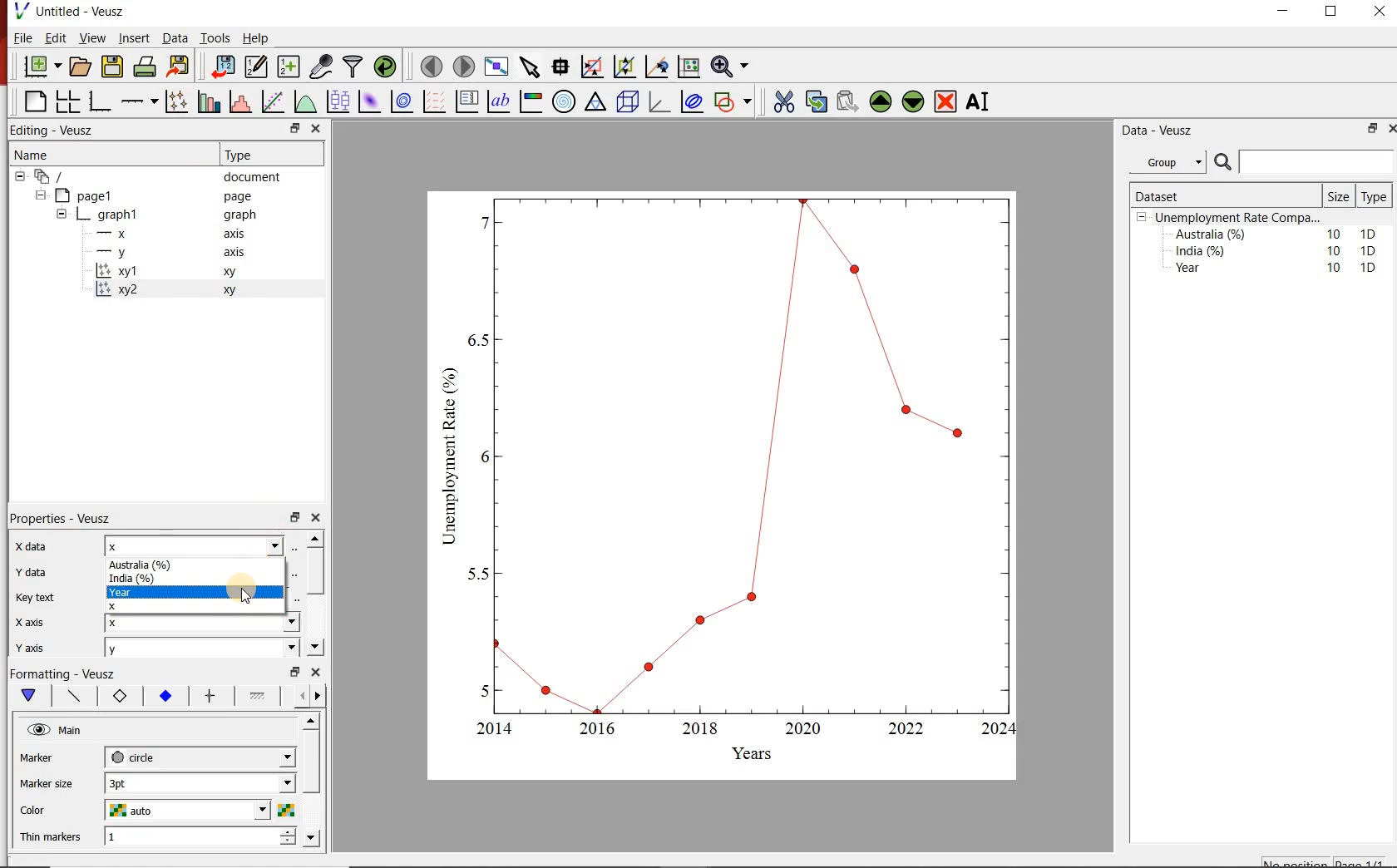 Image resolution: width=1397 pixels, height=868 pixels. Describe the element at coordinates (195, 579) in the screenshot. I see `India (%)` at that location.